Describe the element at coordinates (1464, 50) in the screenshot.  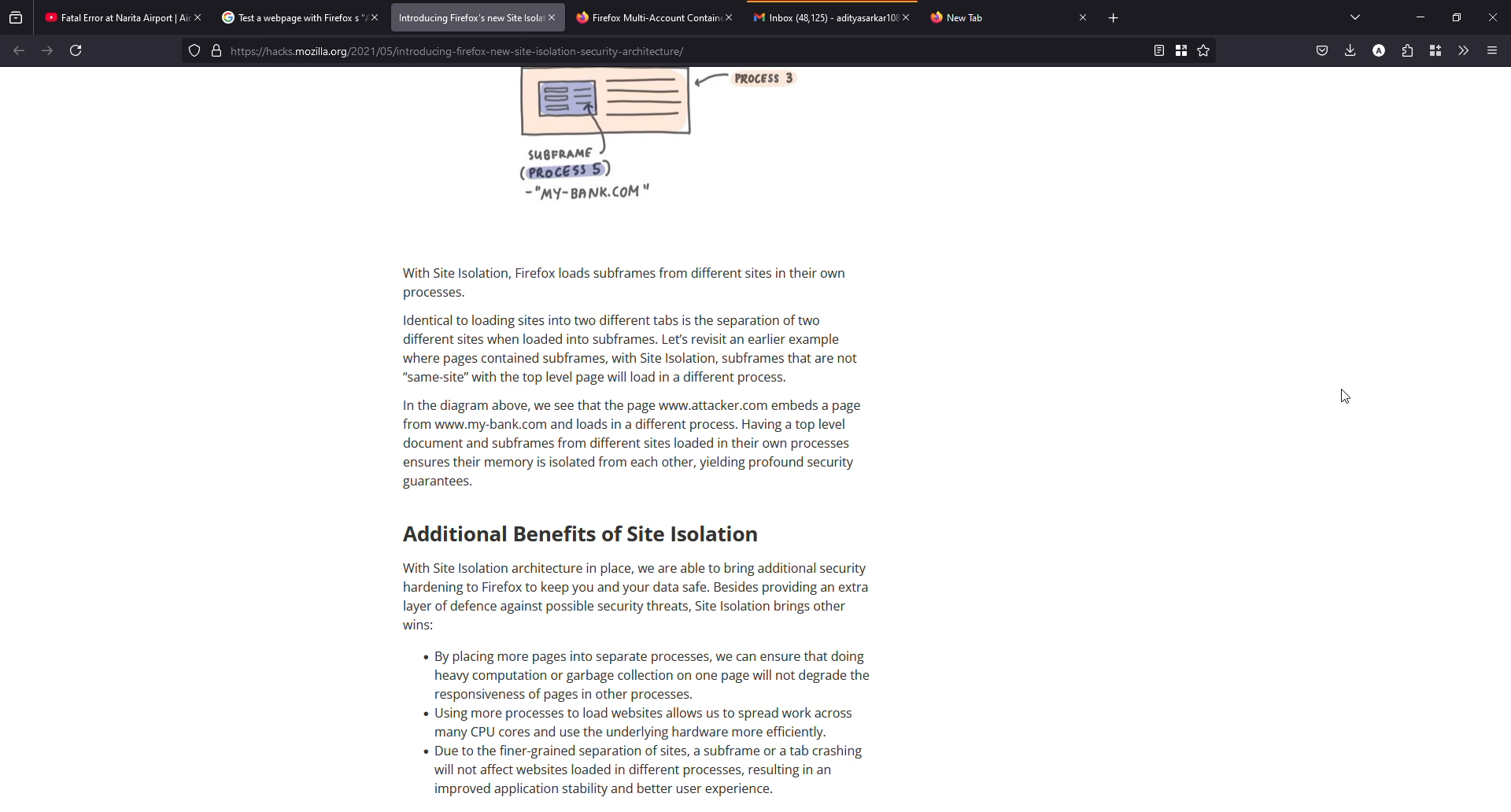
I see `more tools` at that location.